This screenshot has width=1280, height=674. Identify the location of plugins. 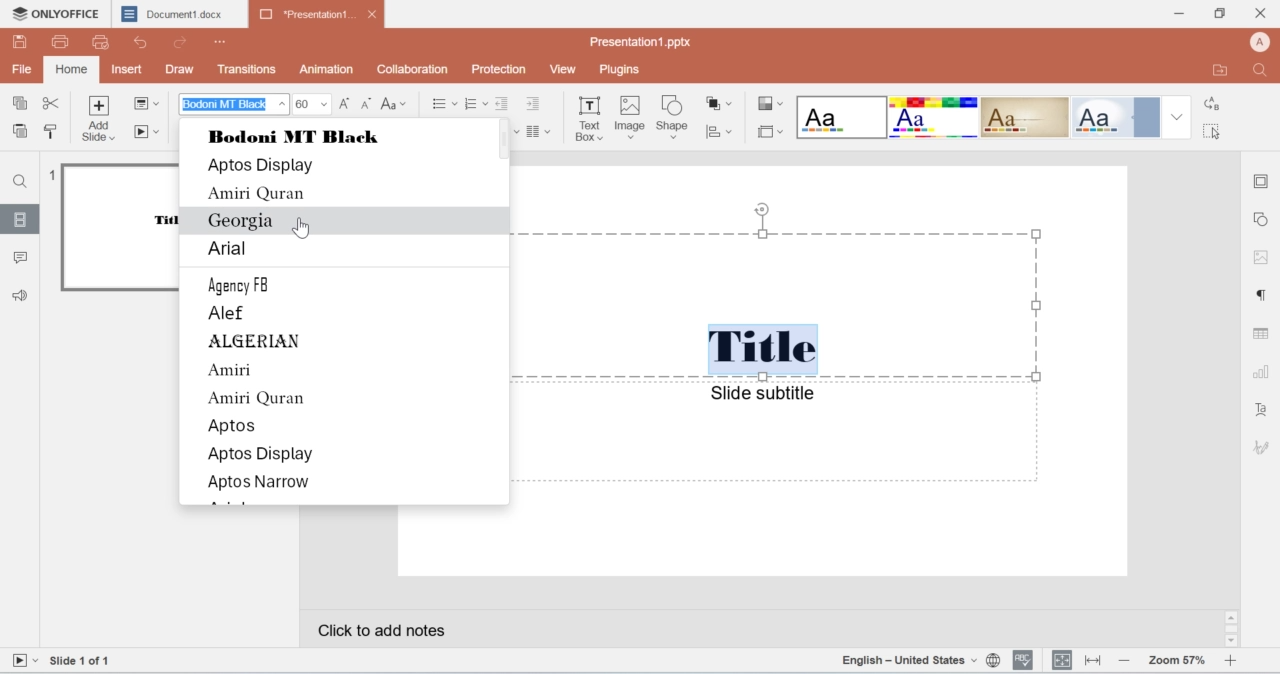
(619, 70).